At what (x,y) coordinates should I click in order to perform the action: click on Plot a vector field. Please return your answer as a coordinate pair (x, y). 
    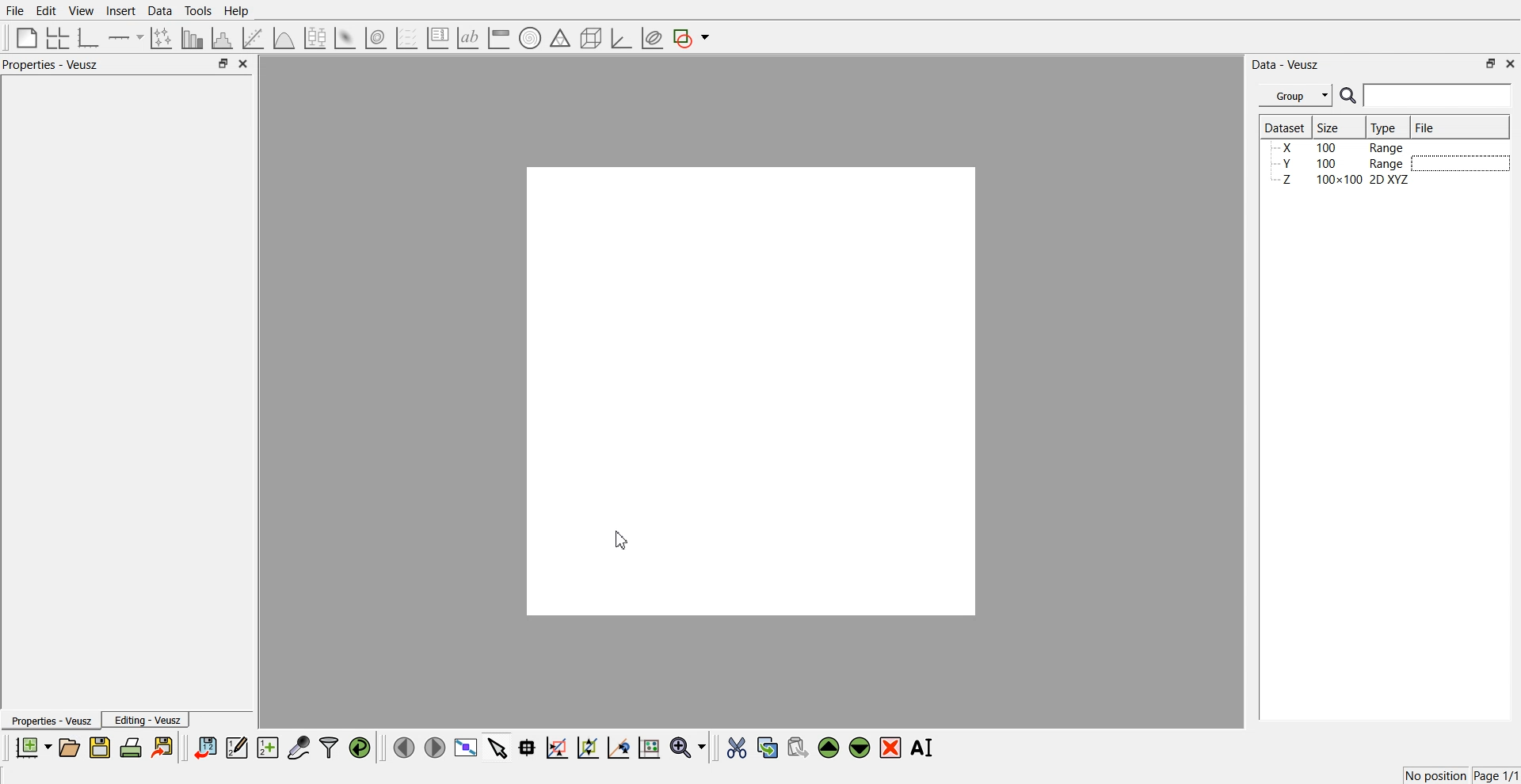
    Looking at the image, I should click on (406, 39).